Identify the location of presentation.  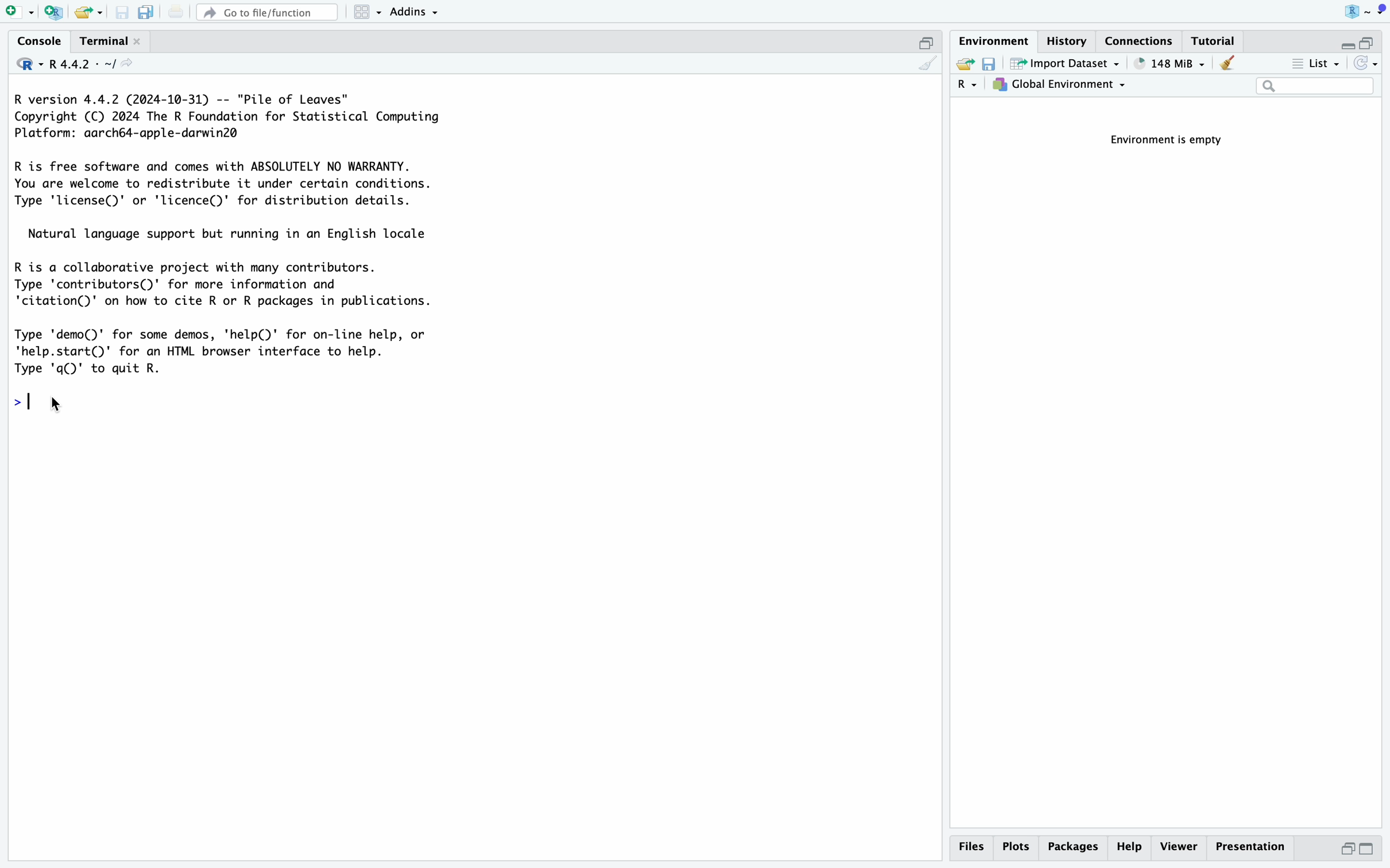
(1256, 850).